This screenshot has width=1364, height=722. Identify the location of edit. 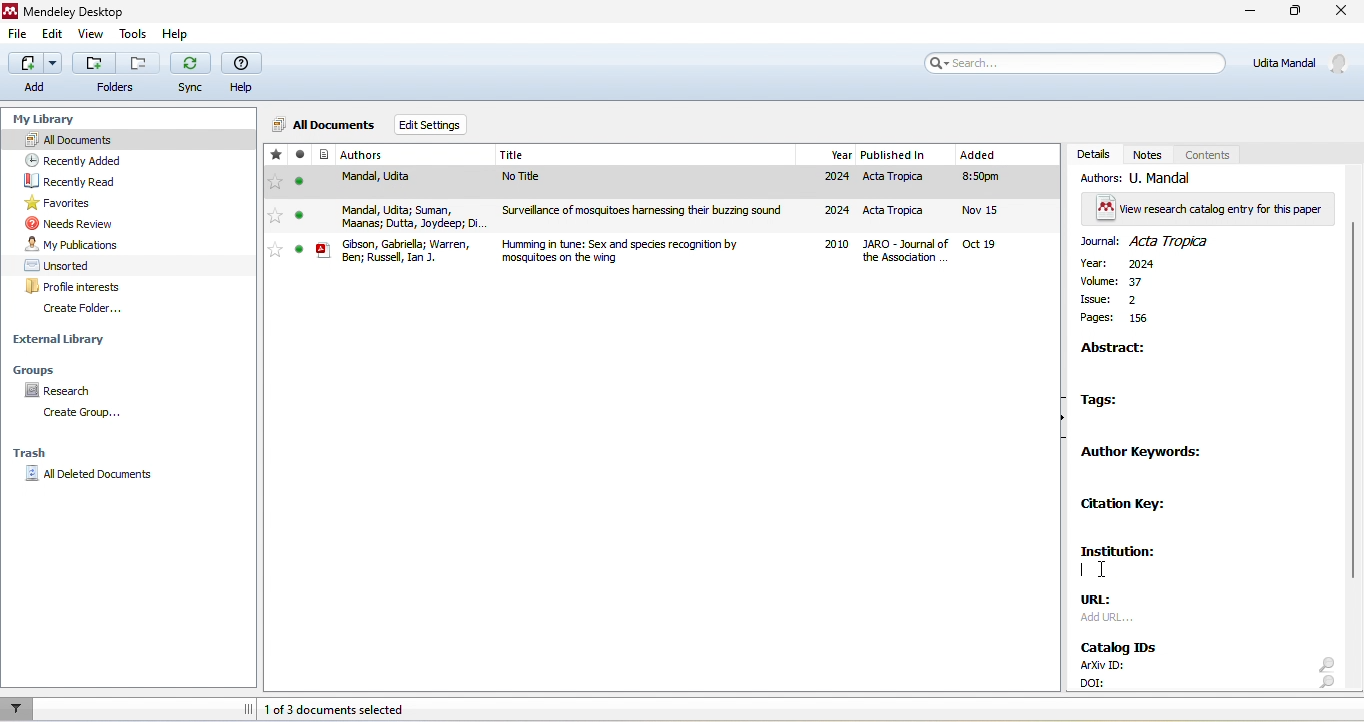
(54, 35).